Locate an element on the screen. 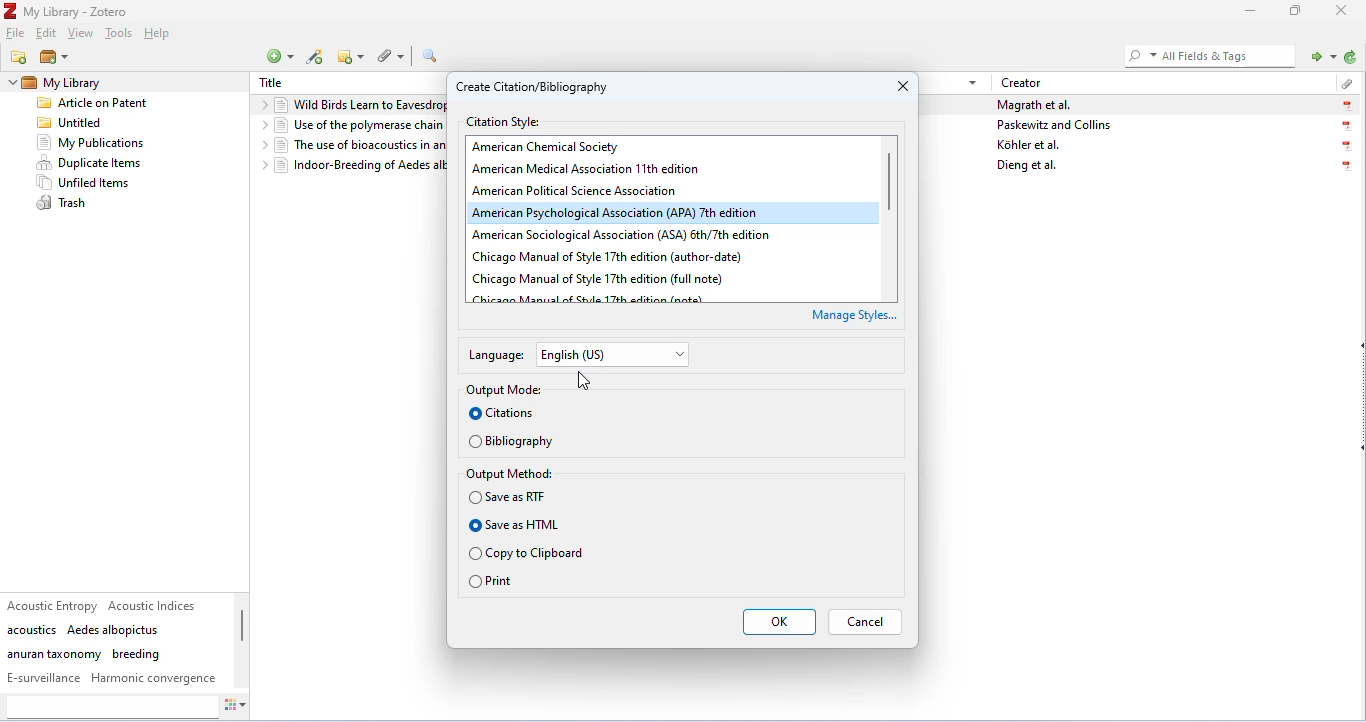 The height and width of the screenshot is (722, 1366). vertical scroll bar is located at coordinates (244, 628).